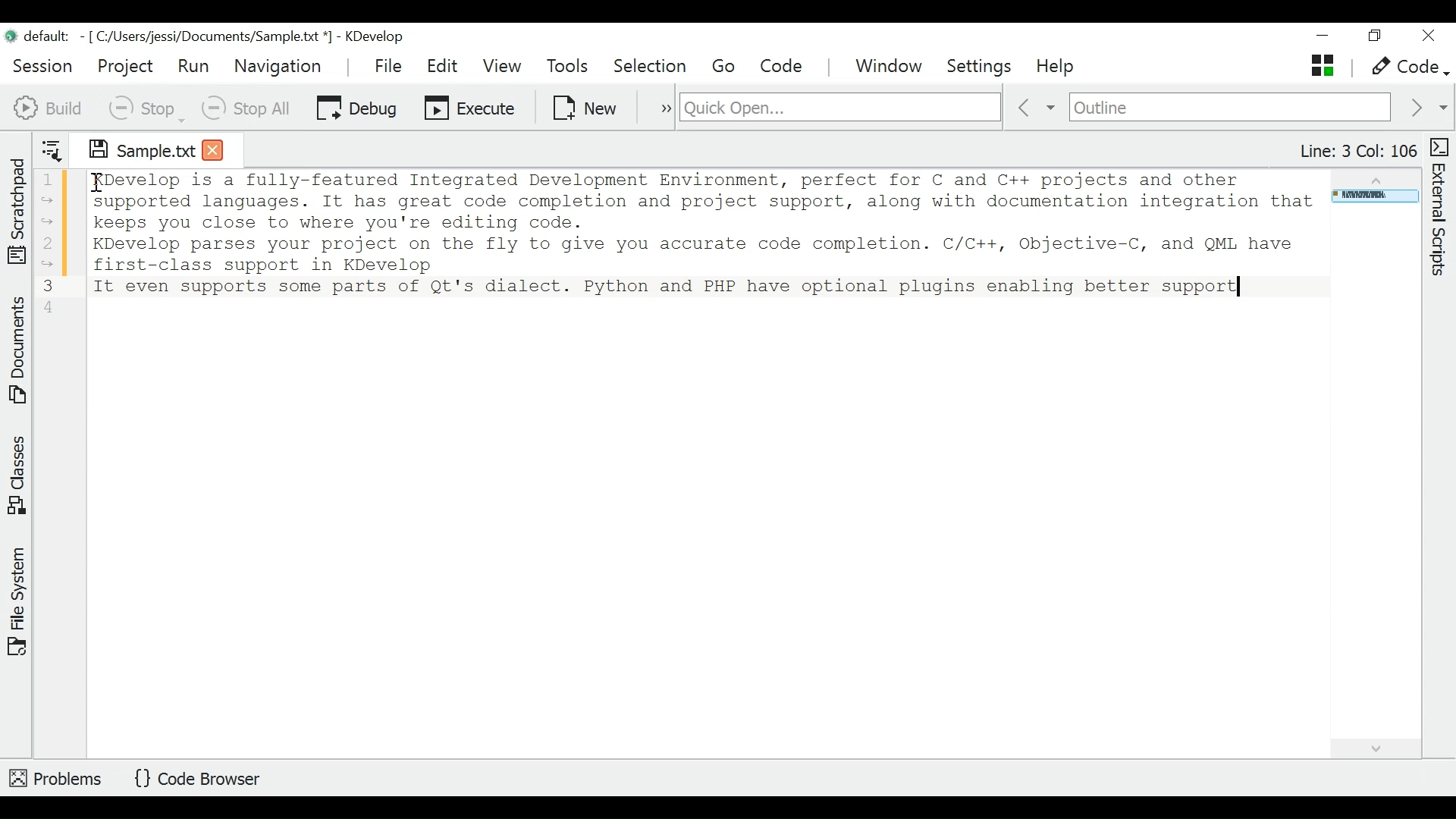 The height and width of the screenshot is (819, 1456). Describe the element at coordinates (213, 149) in the screenshot. I see `Close tab` at that location.